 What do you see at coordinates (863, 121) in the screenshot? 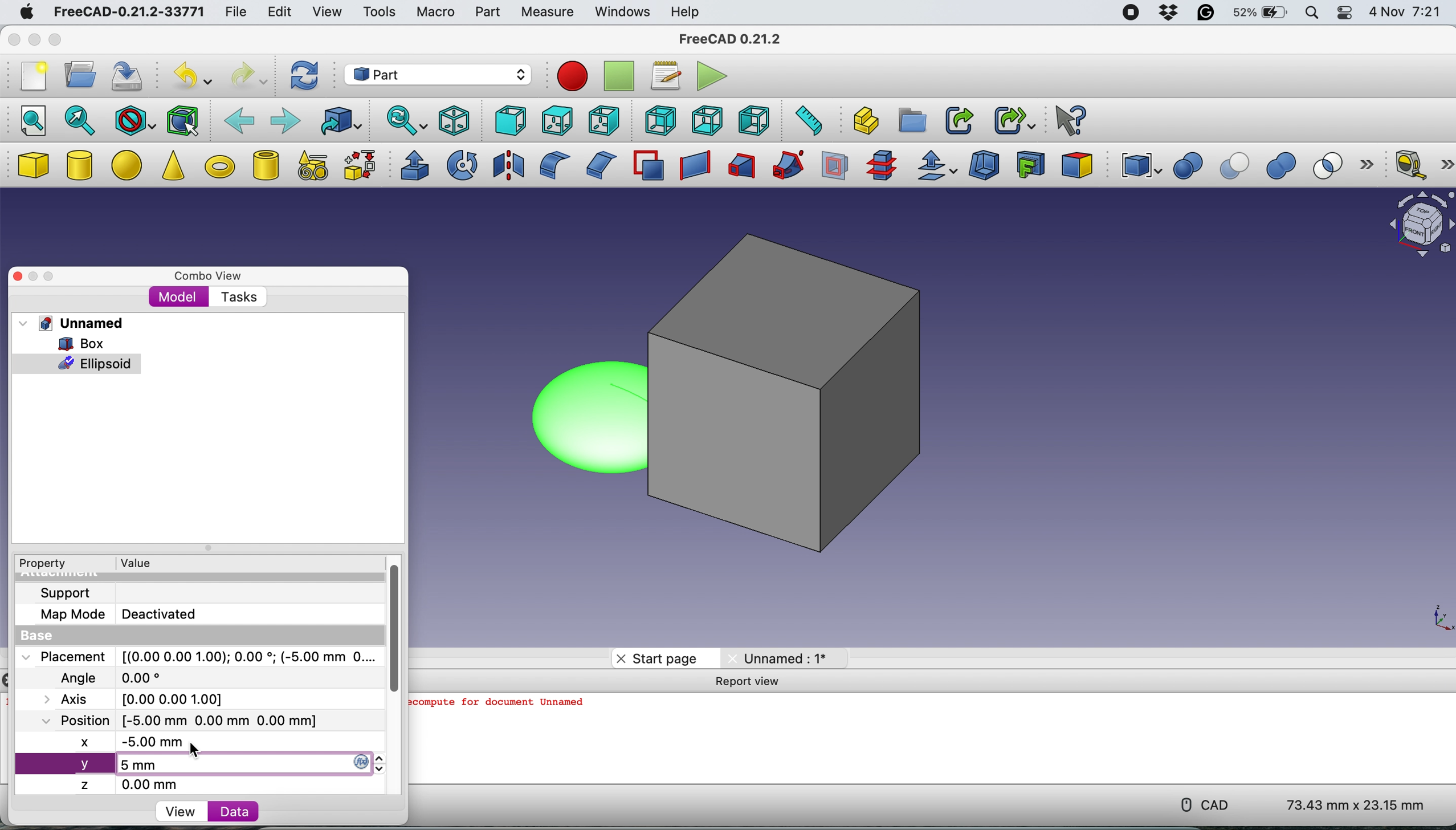
I see `create part` at bounding box center [863, 121].